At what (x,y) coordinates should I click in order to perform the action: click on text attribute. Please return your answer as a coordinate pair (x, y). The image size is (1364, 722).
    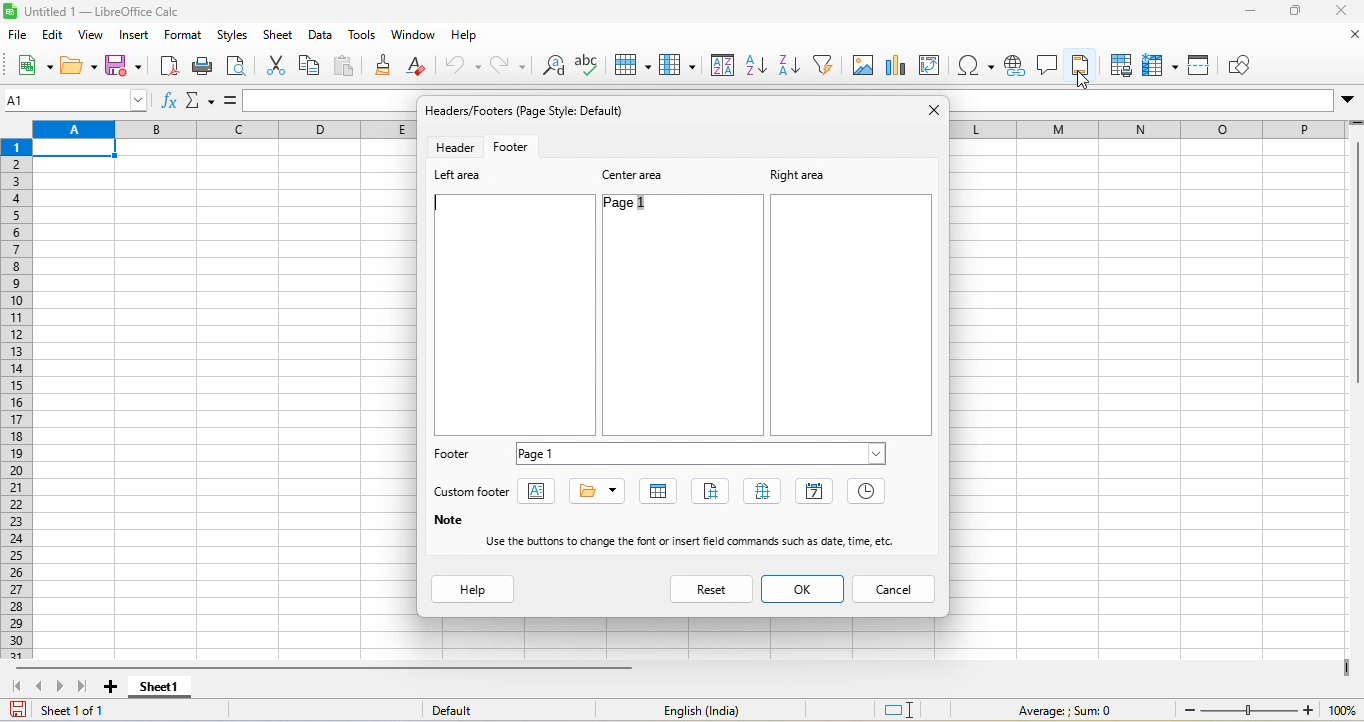
    Looking at the image, I should click on (542, 493).